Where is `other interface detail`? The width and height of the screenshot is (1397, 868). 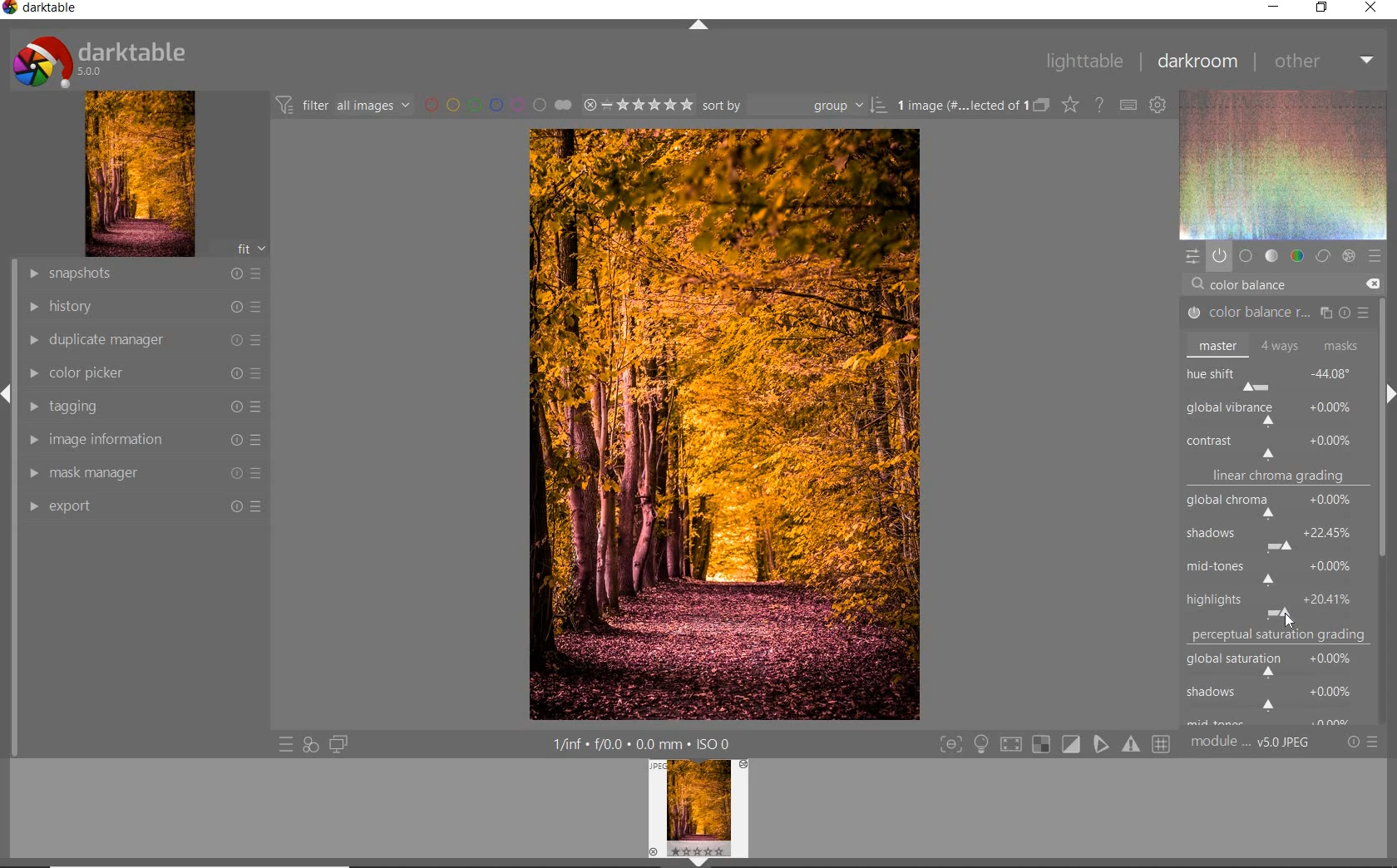 other interface detail is located at coordinates (644, 744).